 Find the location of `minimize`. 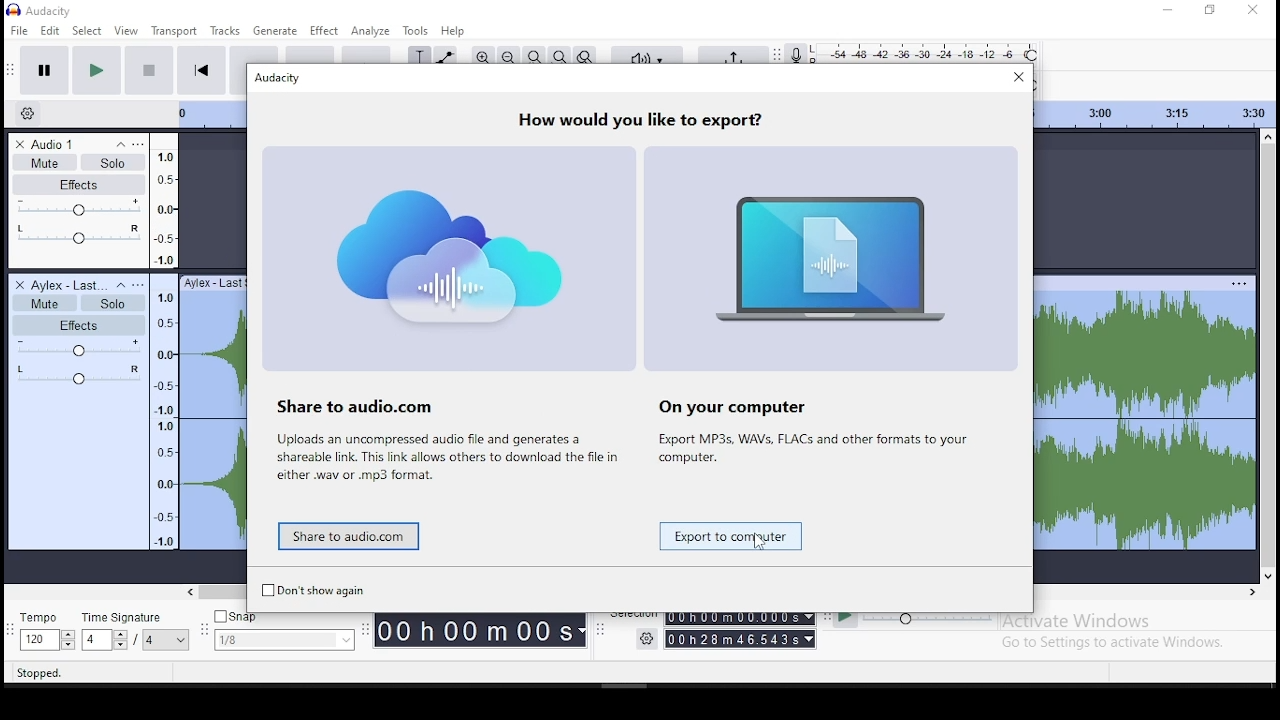

minimize is located at coordinates (1165, 10).